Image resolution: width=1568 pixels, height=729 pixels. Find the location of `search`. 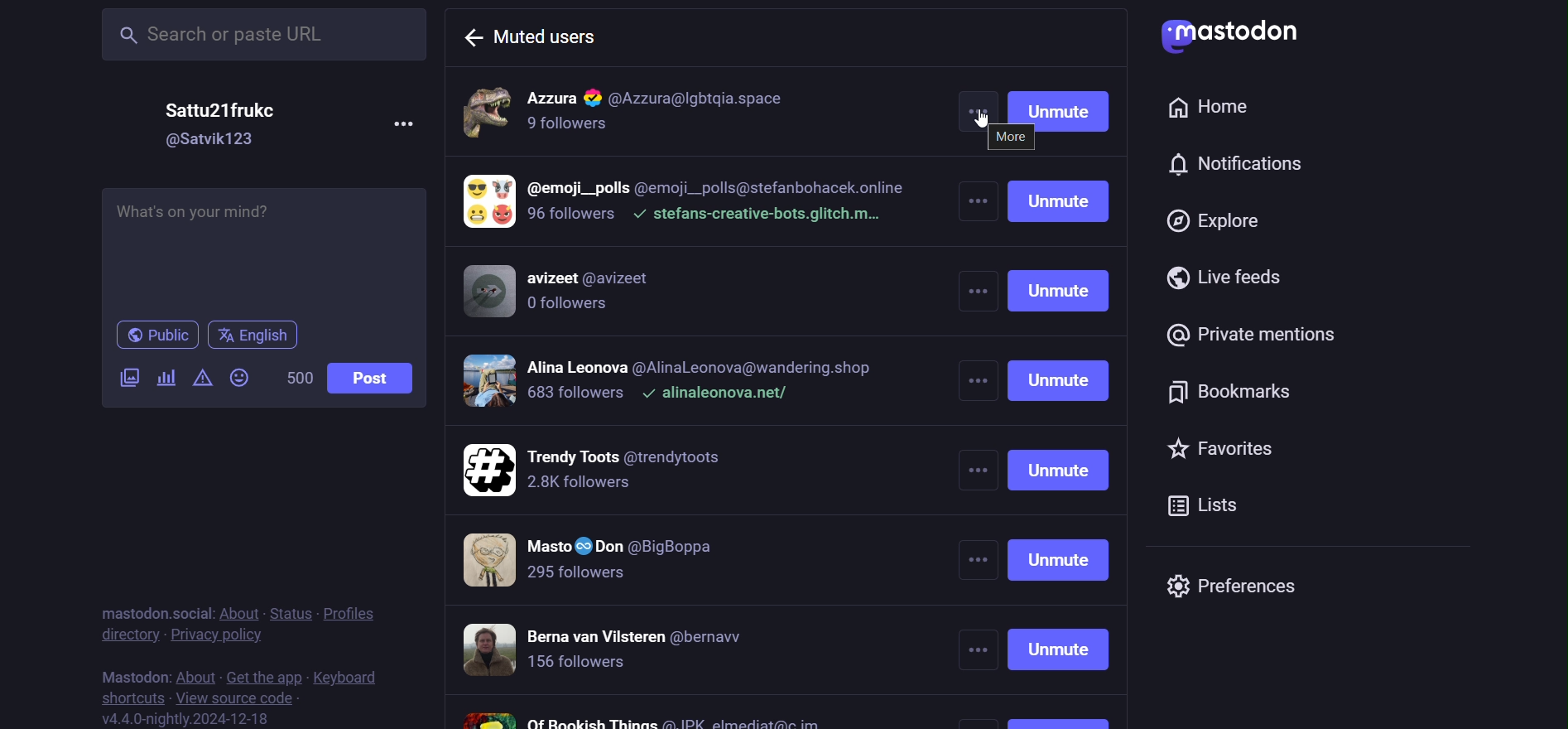

search is located at coordinates (258, 36).